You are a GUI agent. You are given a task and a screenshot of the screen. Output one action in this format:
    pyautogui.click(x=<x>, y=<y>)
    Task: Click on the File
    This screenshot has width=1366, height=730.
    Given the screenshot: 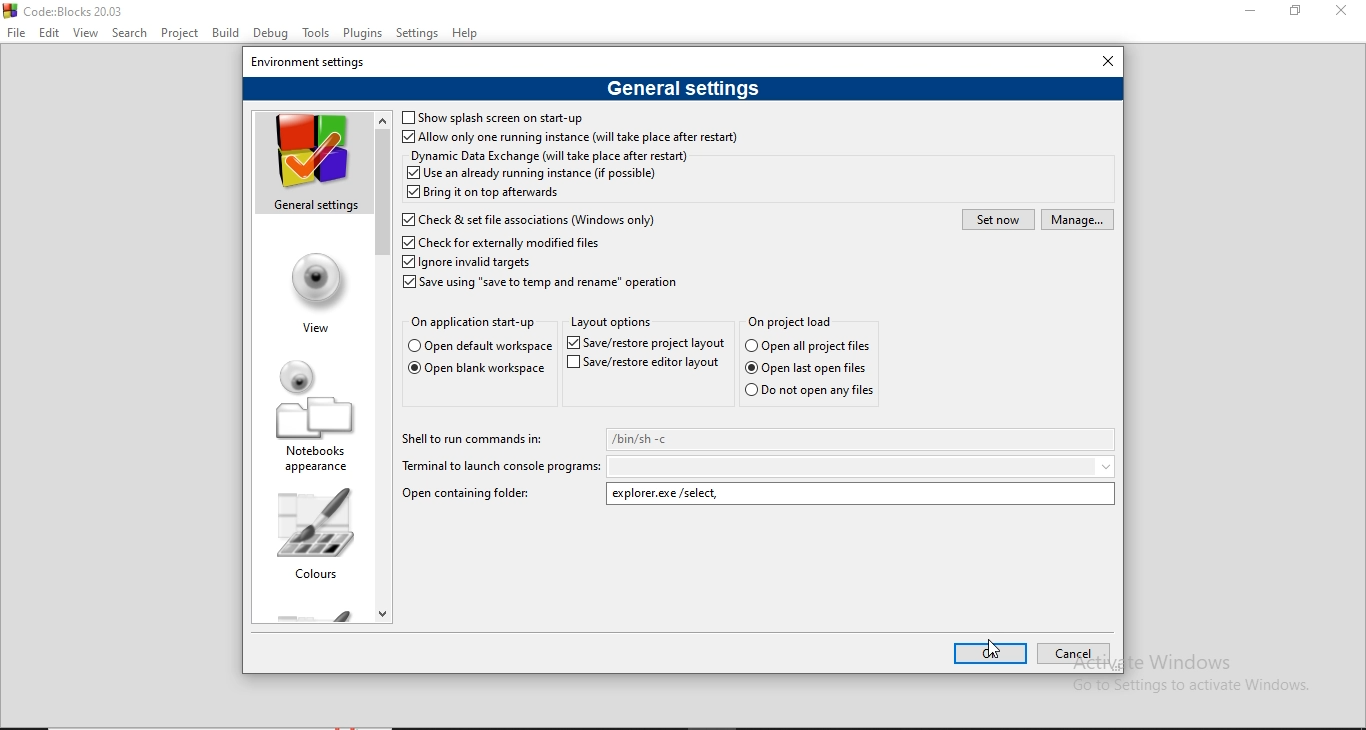 What is the action you would take?
    pyautogui.click(x=17, y=32)
    